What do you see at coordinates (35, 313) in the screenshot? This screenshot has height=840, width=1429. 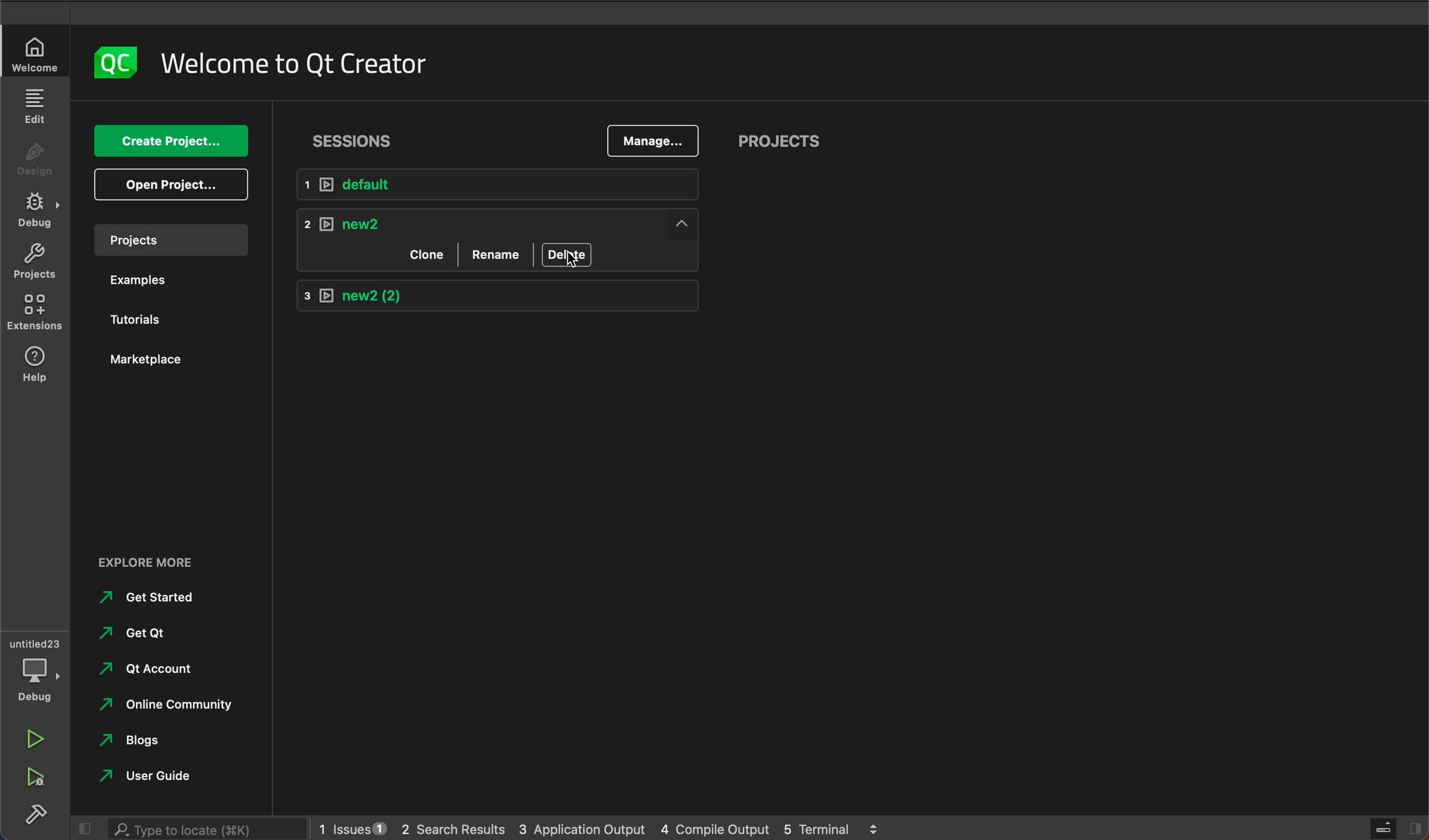 I see `extensions` at bounding box center [35, 313].